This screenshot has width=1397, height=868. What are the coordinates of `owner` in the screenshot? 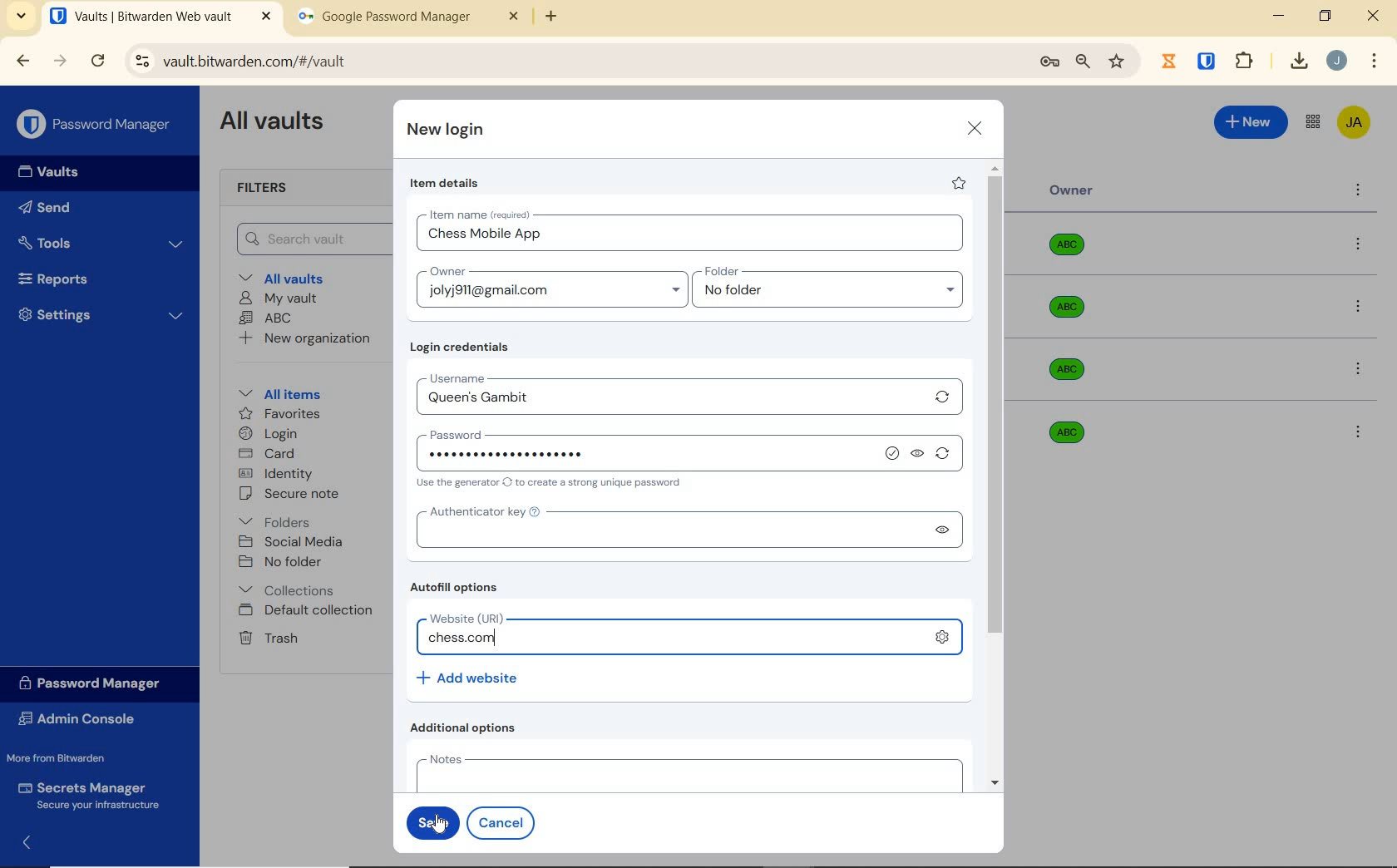 It's located at (446, 273).